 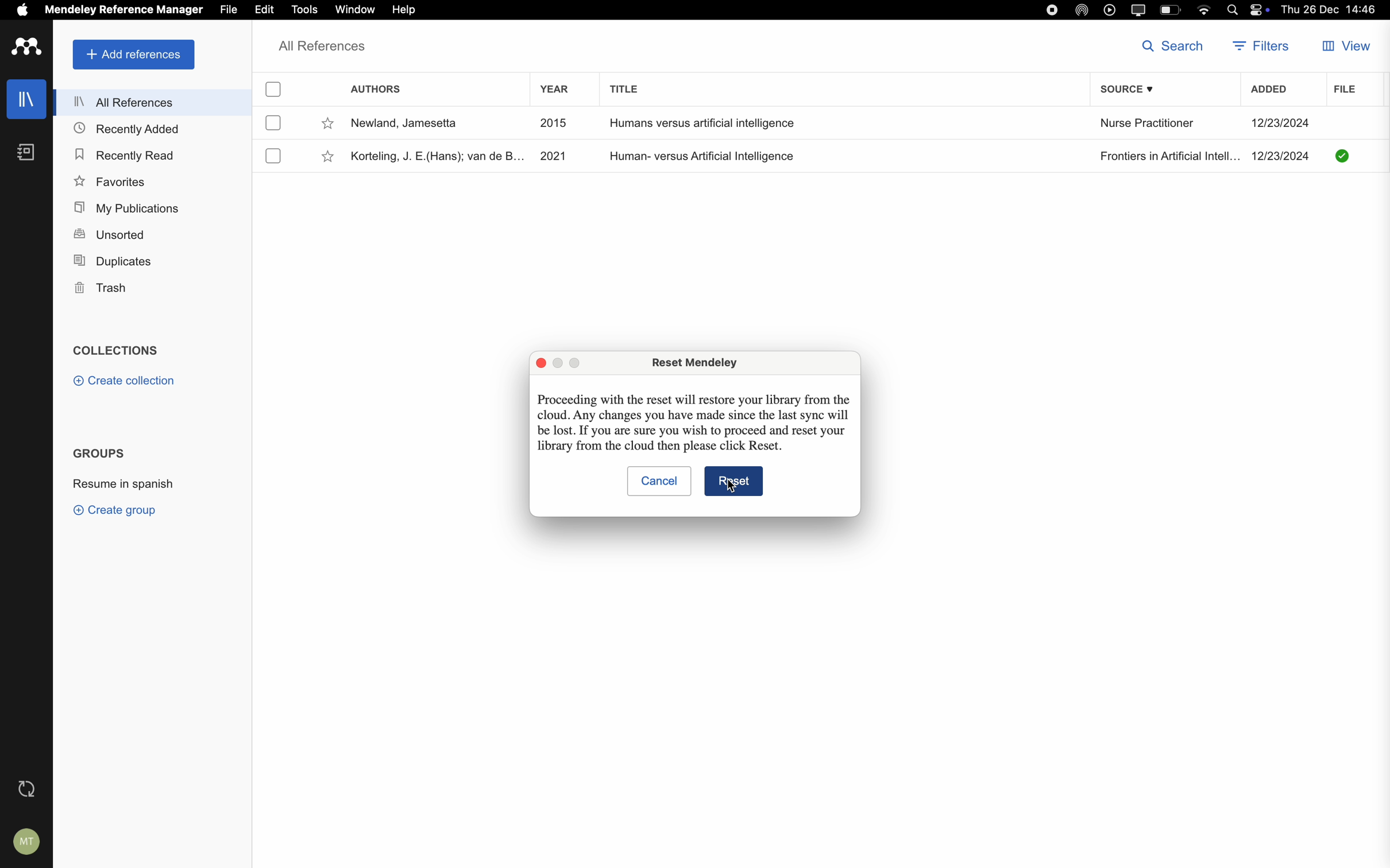 I want to click on Mendeley Reference Manager, so click(x=126, y=10).